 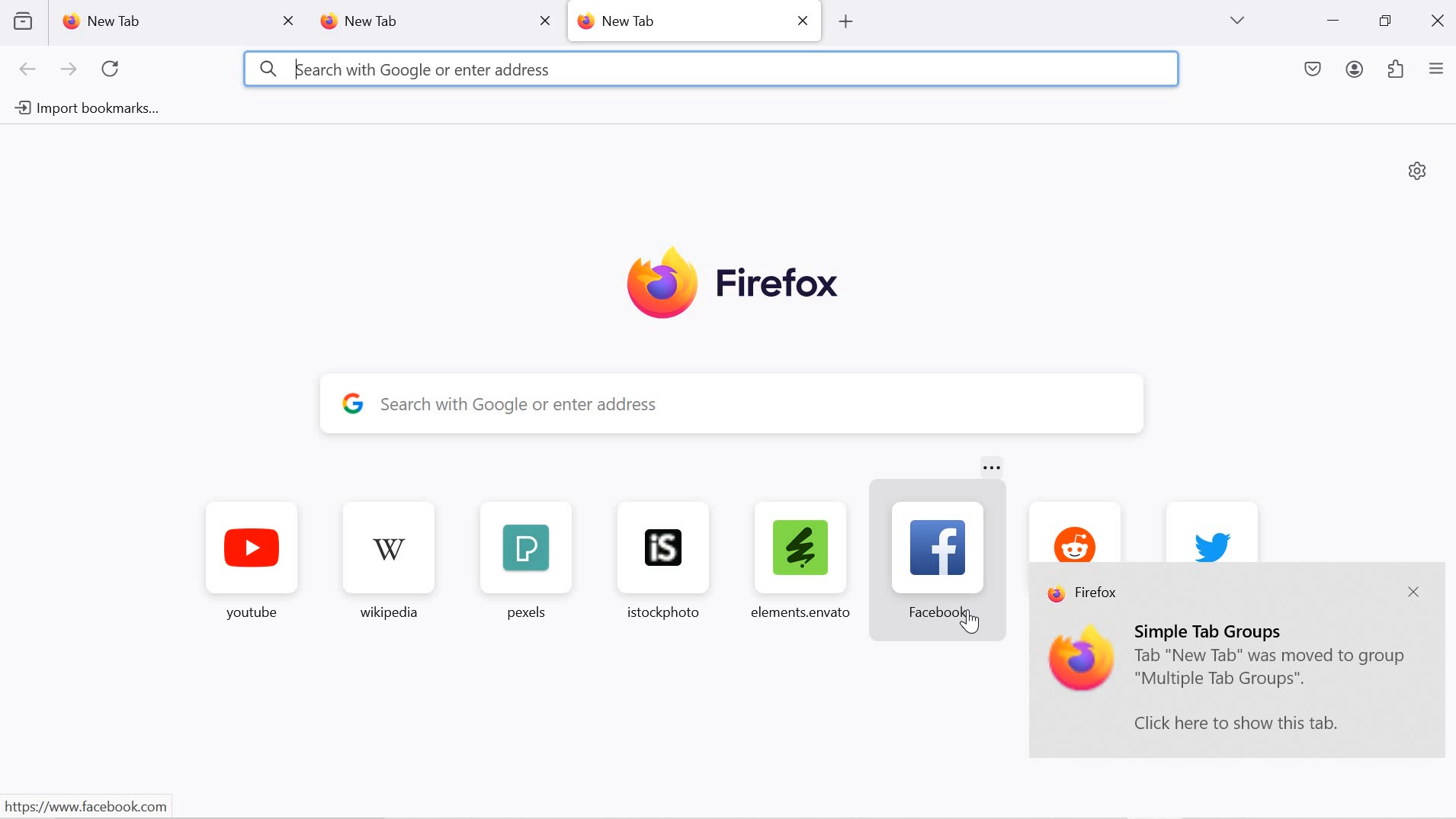 What do you see at coordinates (392, 564) in the screenshot?
I see `wikipedia favorite` at bounding box center [392, 564].